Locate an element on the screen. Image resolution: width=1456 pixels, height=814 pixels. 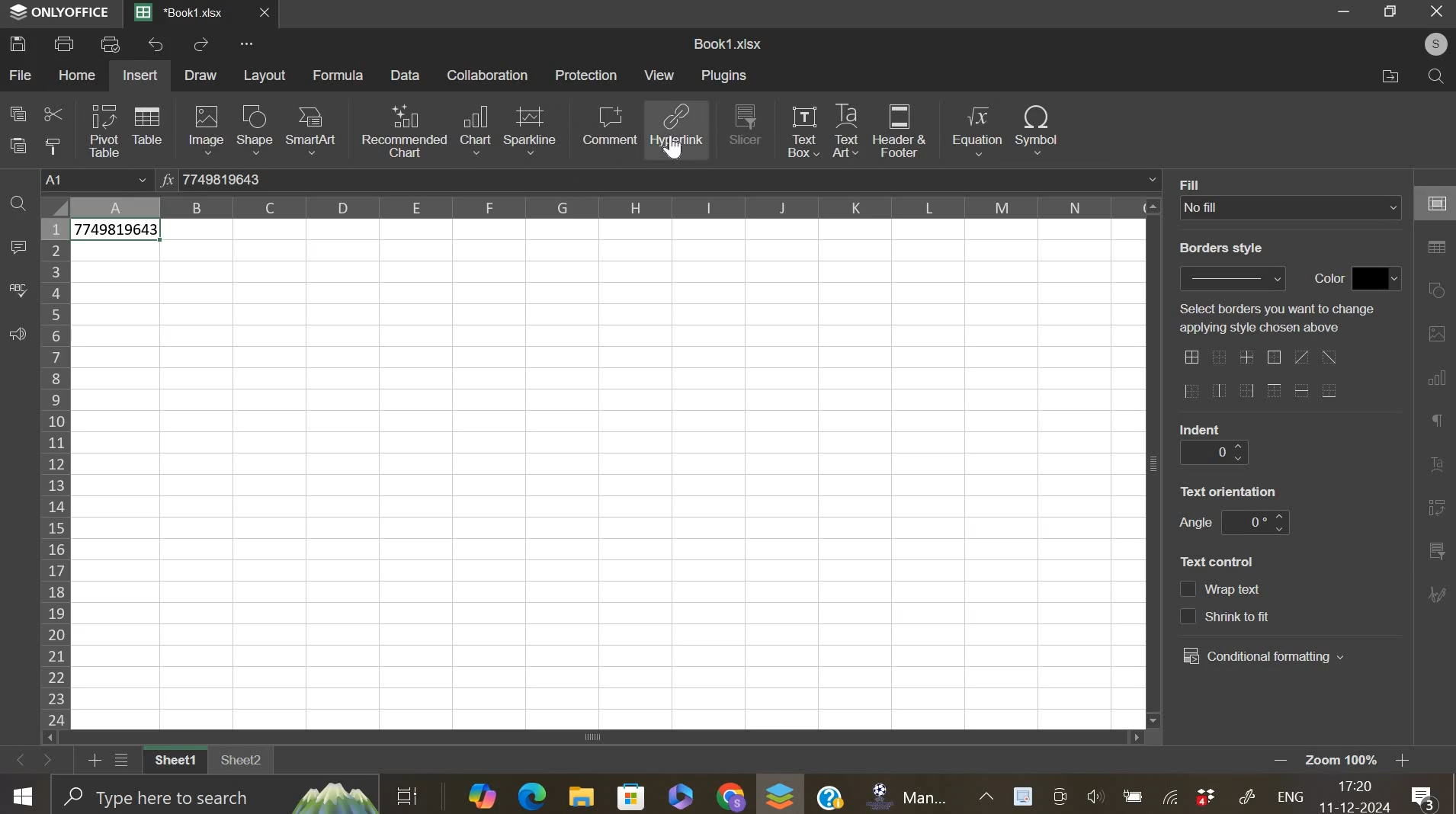
close is located at coordinates (273, 16).